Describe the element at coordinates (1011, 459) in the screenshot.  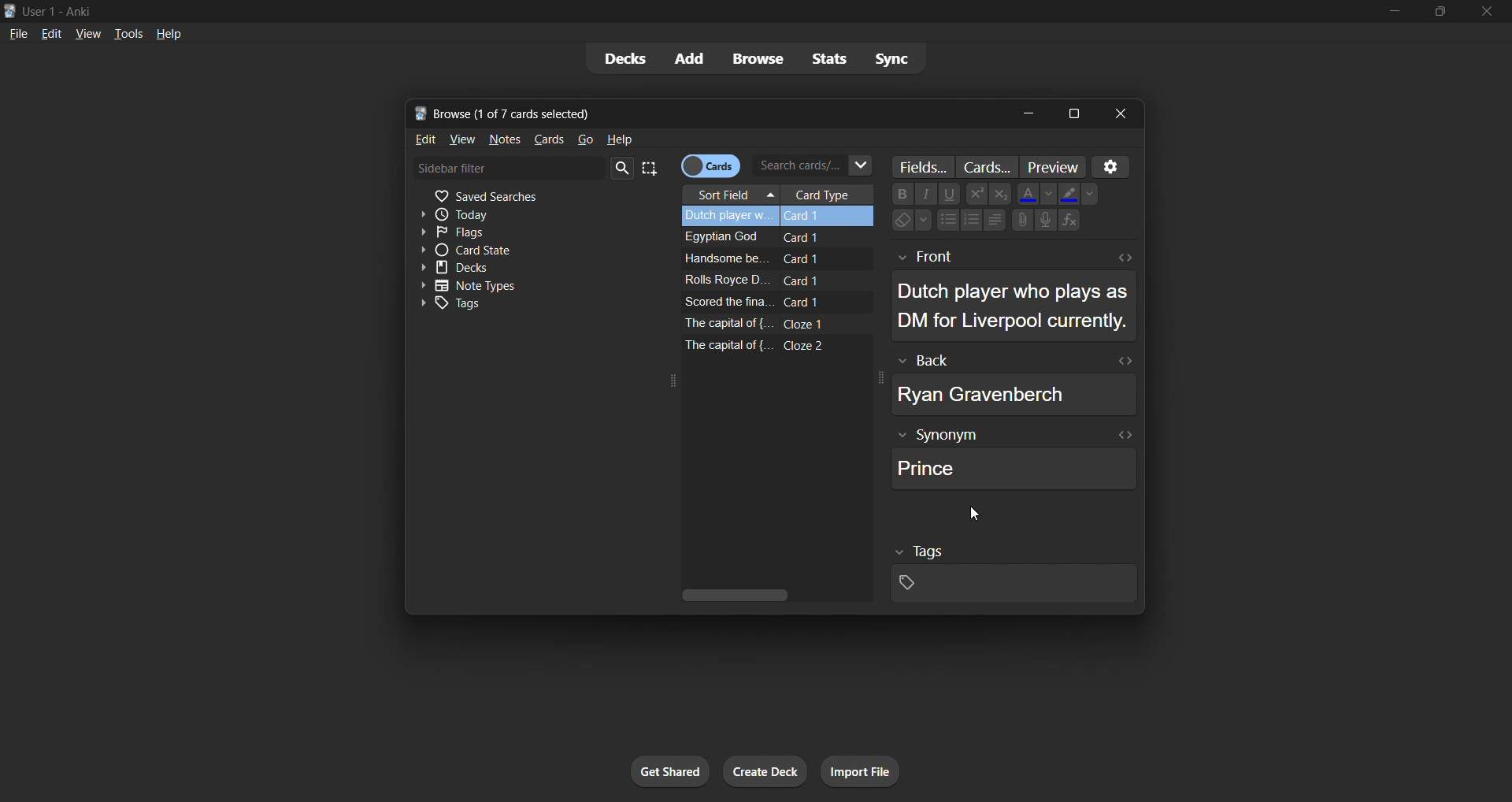
I see `synonym field data ` at that location.